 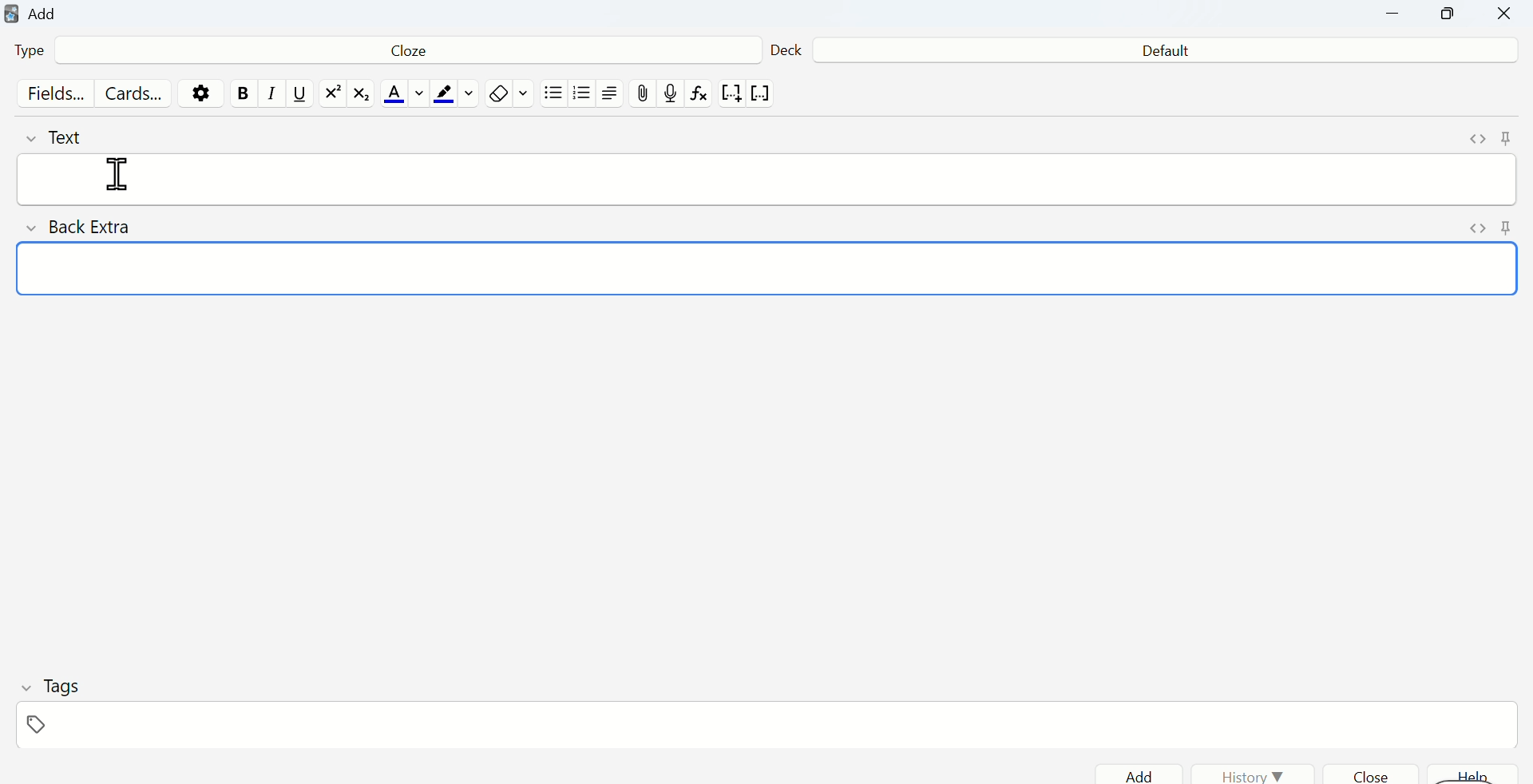 What do you see at coordinates (204, 93) in the screenshot?
I see `Settings` at bounding box center [204, 93].